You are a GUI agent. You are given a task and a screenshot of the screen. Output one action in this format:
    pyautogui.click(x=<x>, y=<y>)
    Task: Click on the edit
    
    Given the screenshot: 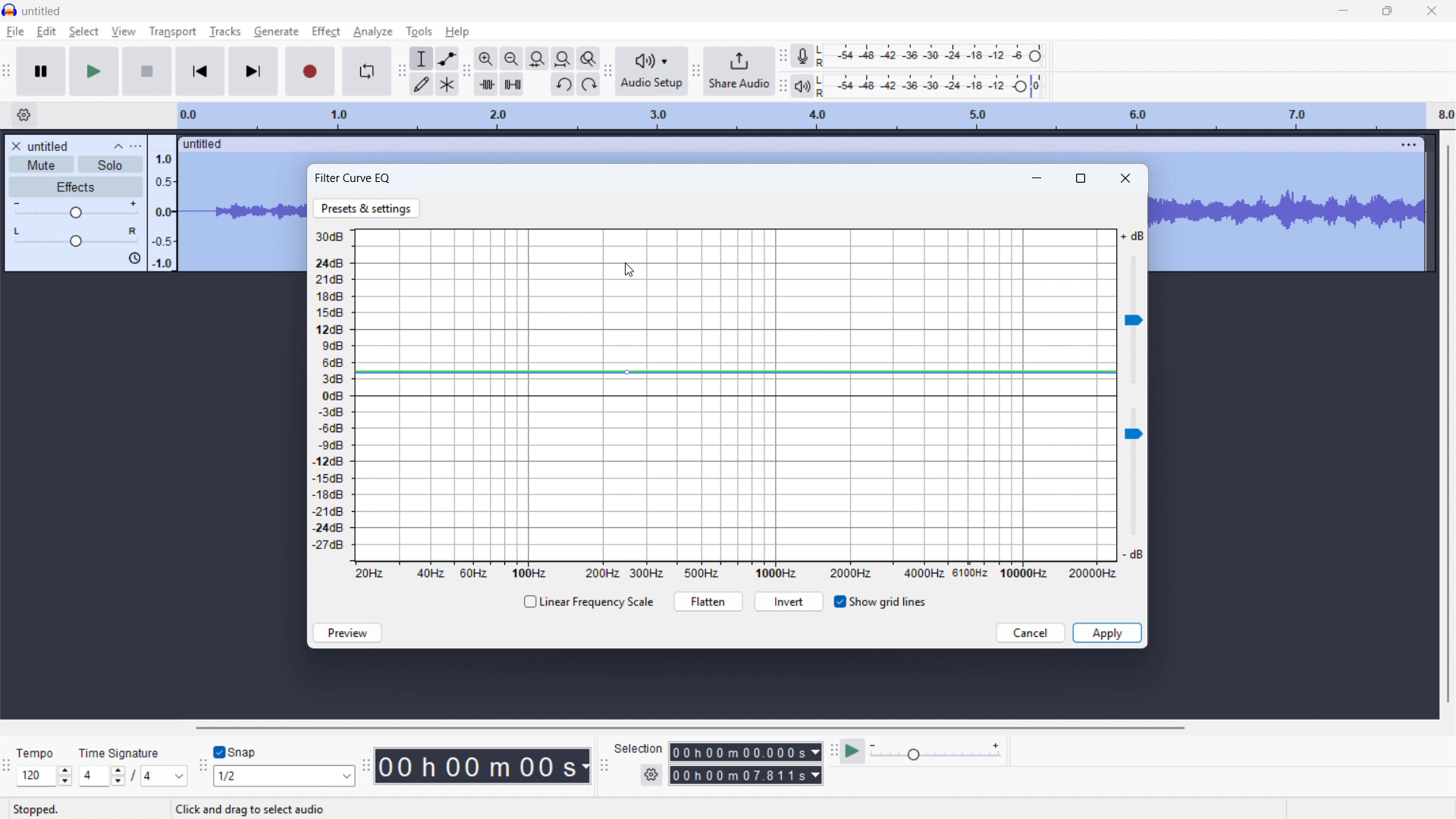 What is the action you would take?
    pyautogui.click(x=46, y=32)
    